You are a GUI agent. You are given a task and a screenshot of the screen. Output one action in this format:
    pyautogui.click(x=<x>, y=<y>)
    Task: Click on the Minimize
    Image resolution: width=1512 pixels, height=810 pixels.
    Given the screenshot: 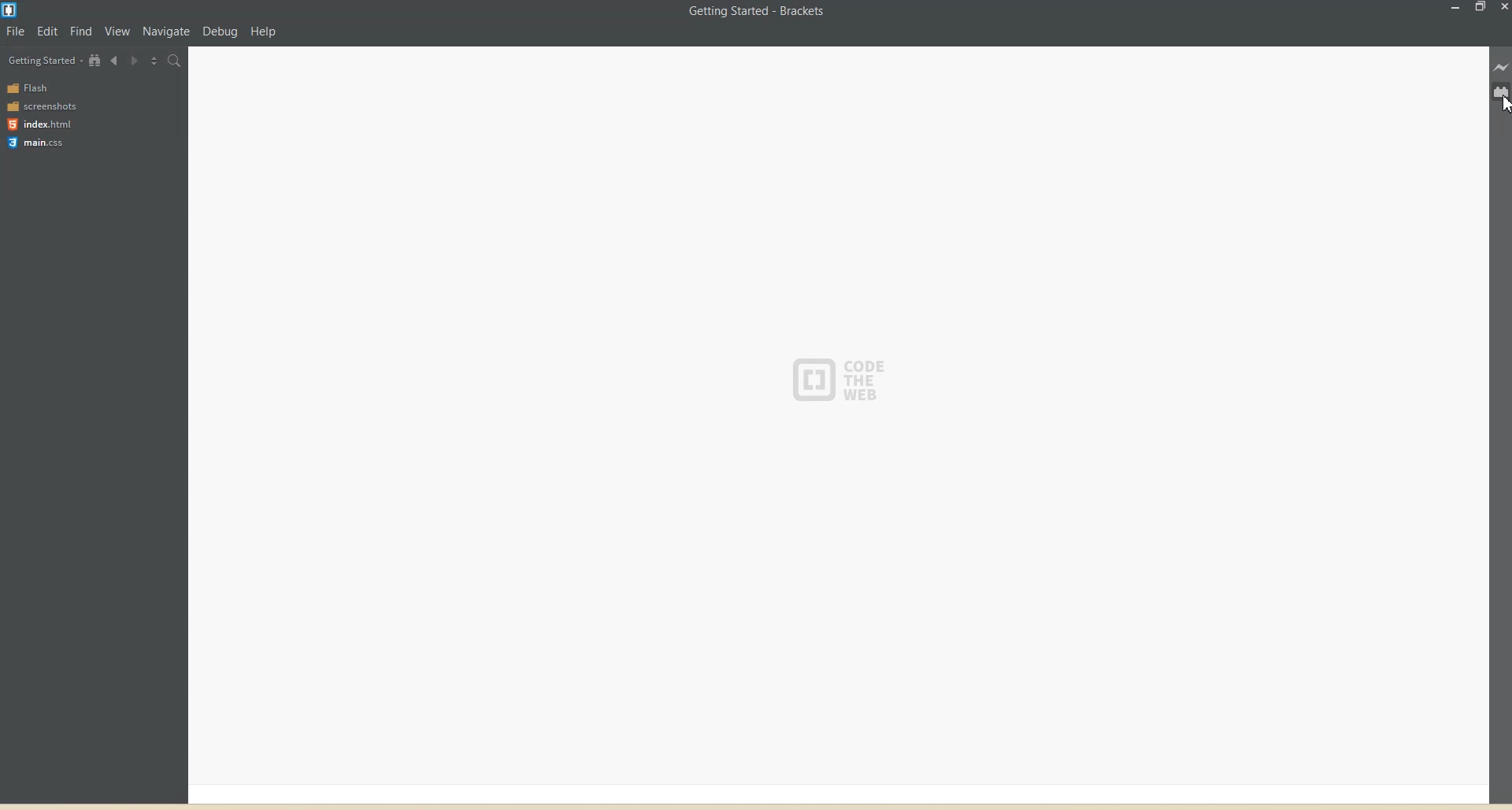 What is the action you would take?
    pyautogui.click(x=1457, y=8)
    